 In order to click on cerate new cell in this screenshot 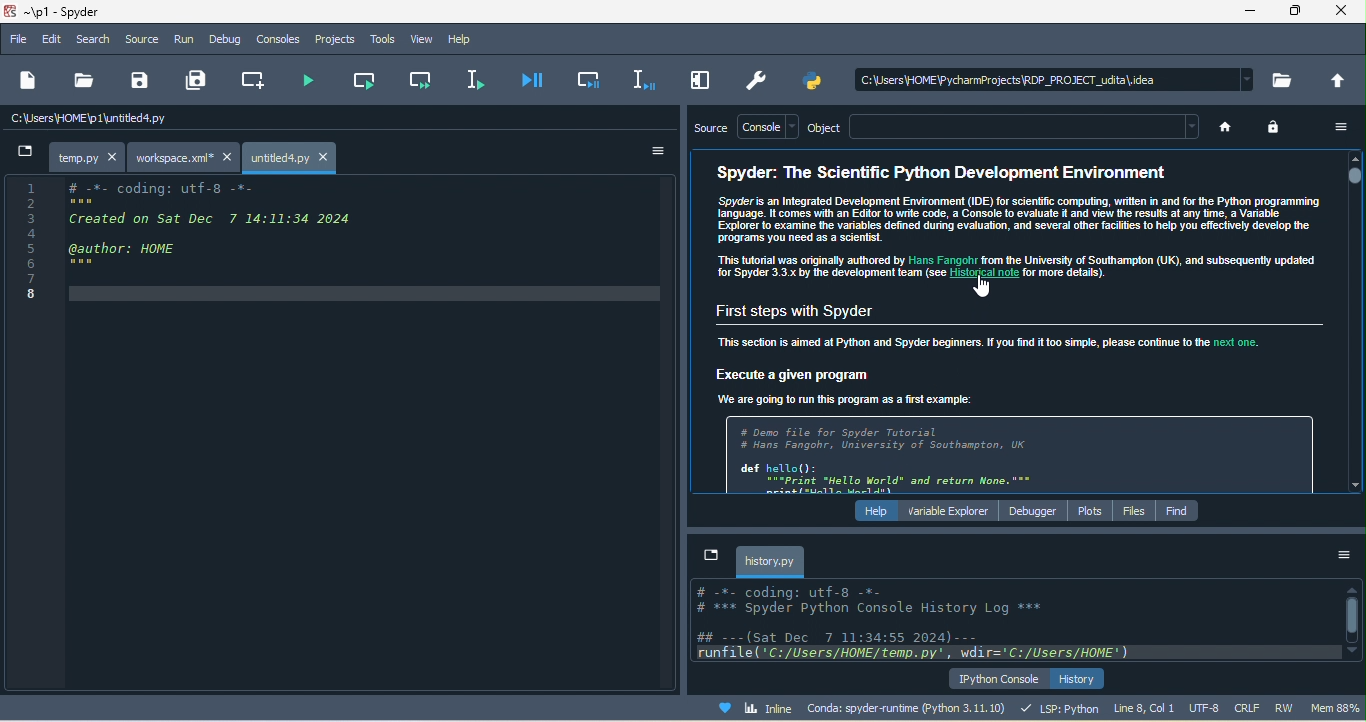, I will do `click(247, 80)`.